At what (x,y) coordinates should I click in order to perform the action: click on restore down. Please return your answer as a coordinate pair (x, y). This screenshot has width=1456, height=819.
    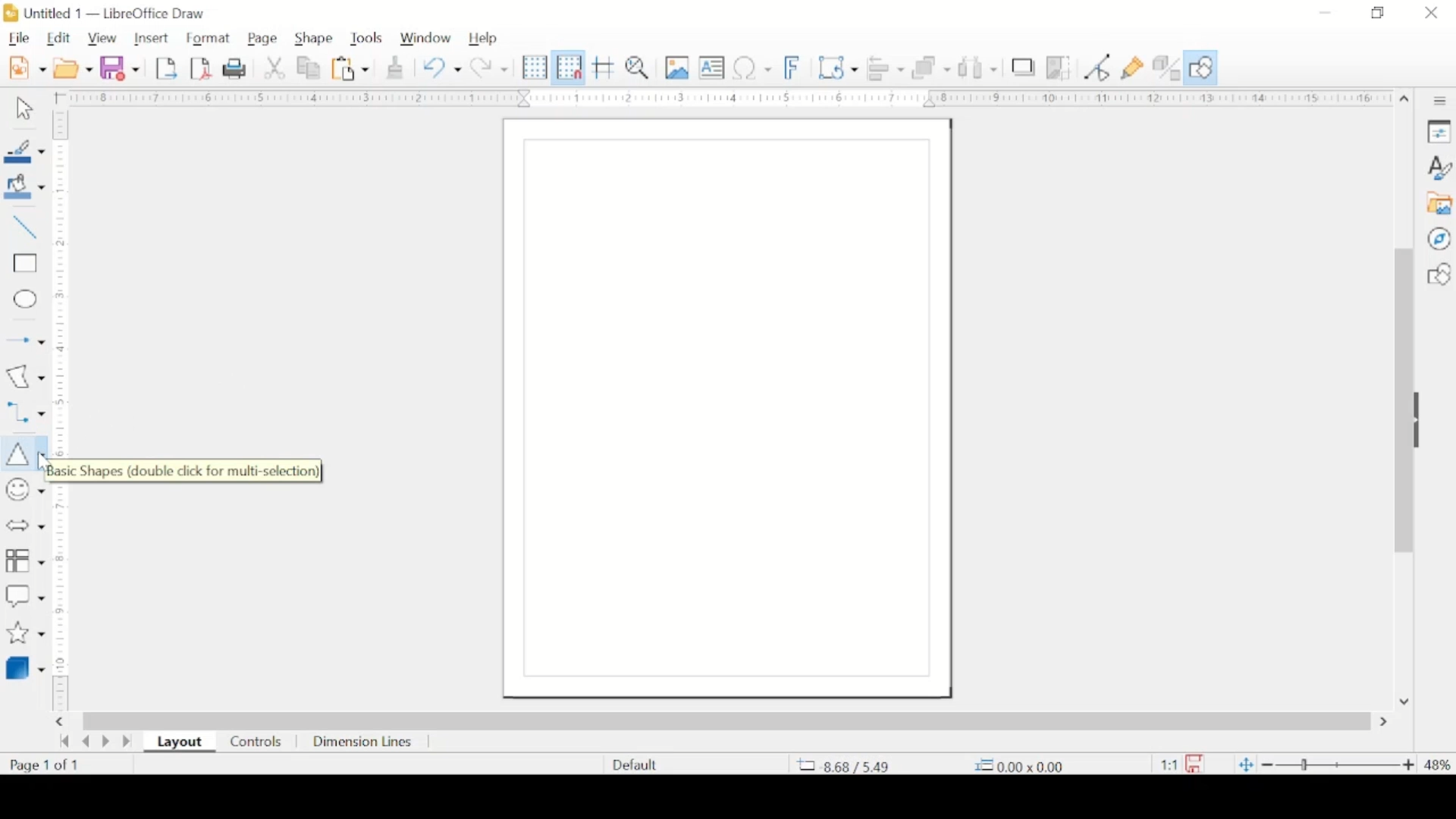
    Looking at the image, I should click on (1376, 13).